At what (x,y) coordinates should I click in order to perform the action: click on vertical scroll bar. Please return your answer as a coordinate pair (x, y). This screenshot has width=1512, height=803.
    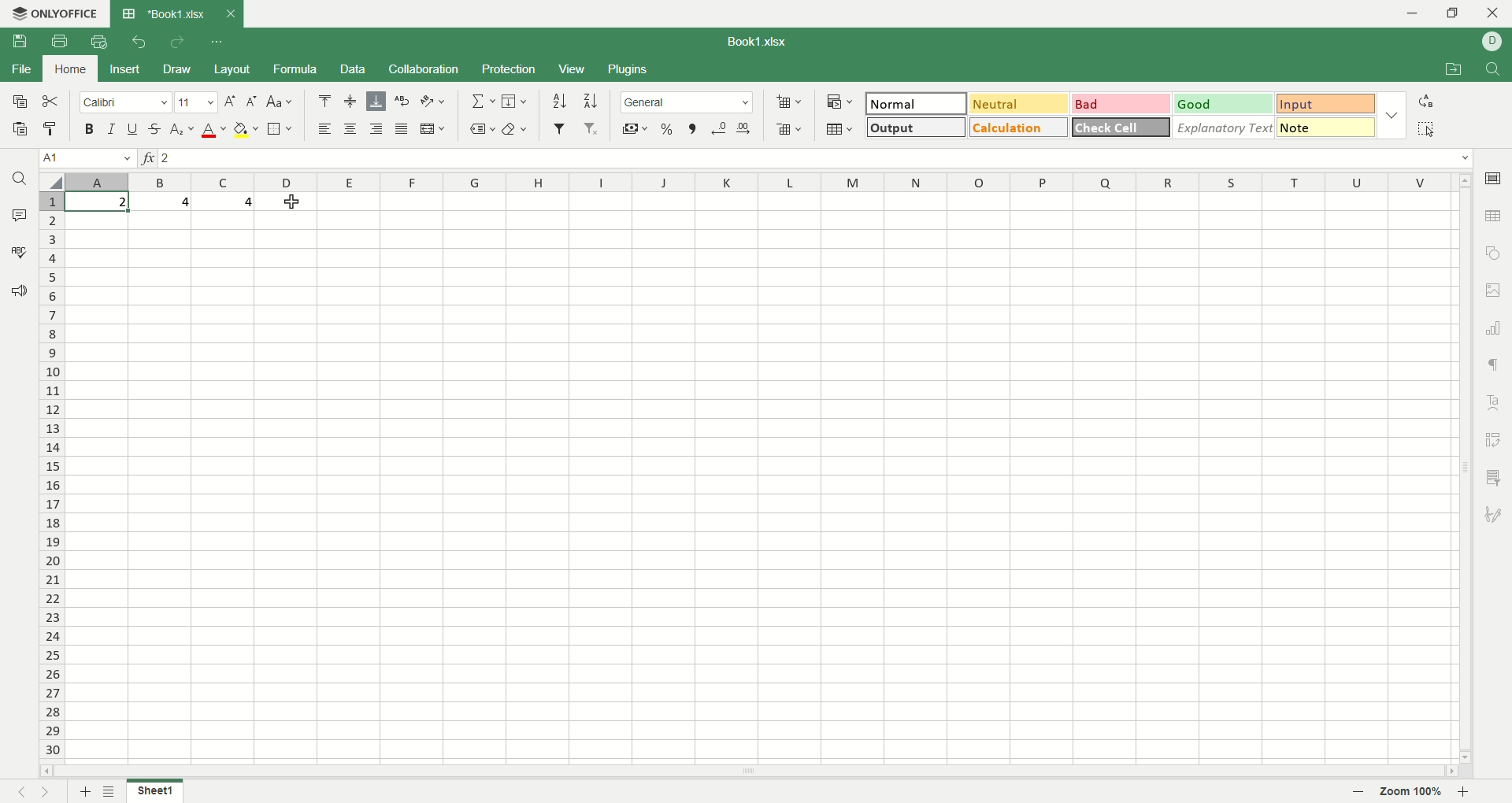
    Looking at the image, I should click on (1466, 475).